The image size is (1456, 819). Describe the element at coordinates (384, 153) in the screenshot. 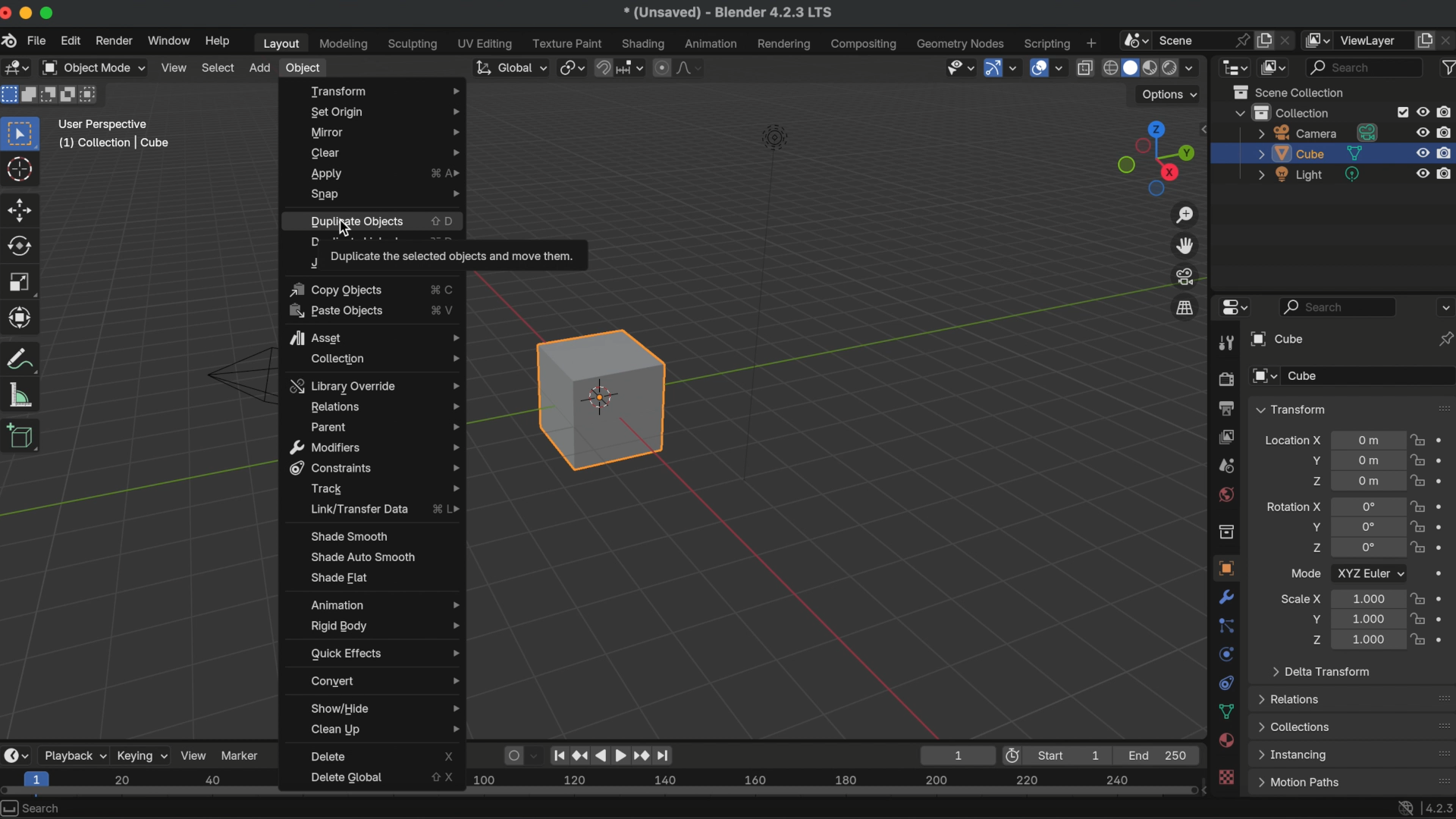

I see `clear menu` at that location.